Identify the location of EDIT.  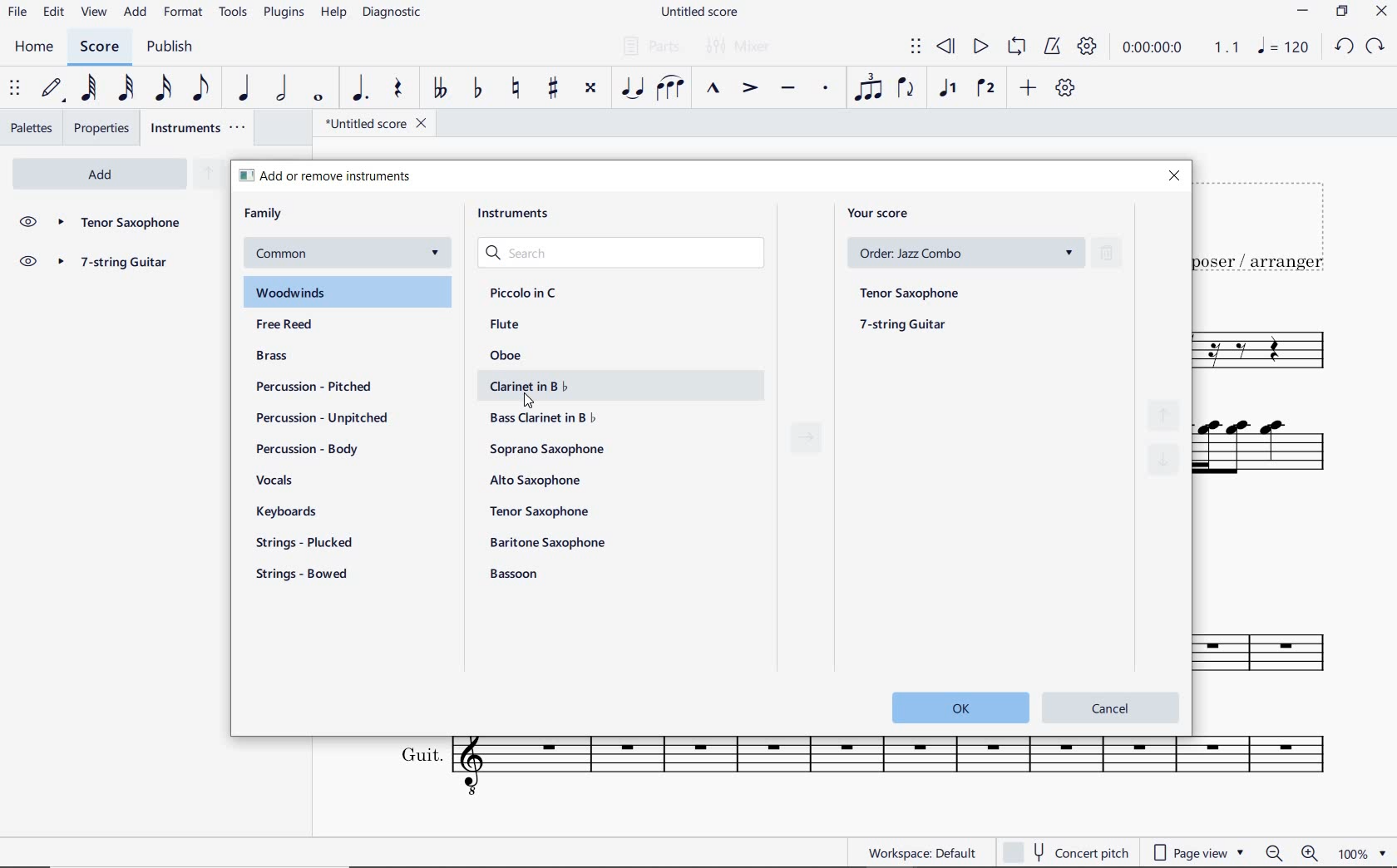
(54, 12).